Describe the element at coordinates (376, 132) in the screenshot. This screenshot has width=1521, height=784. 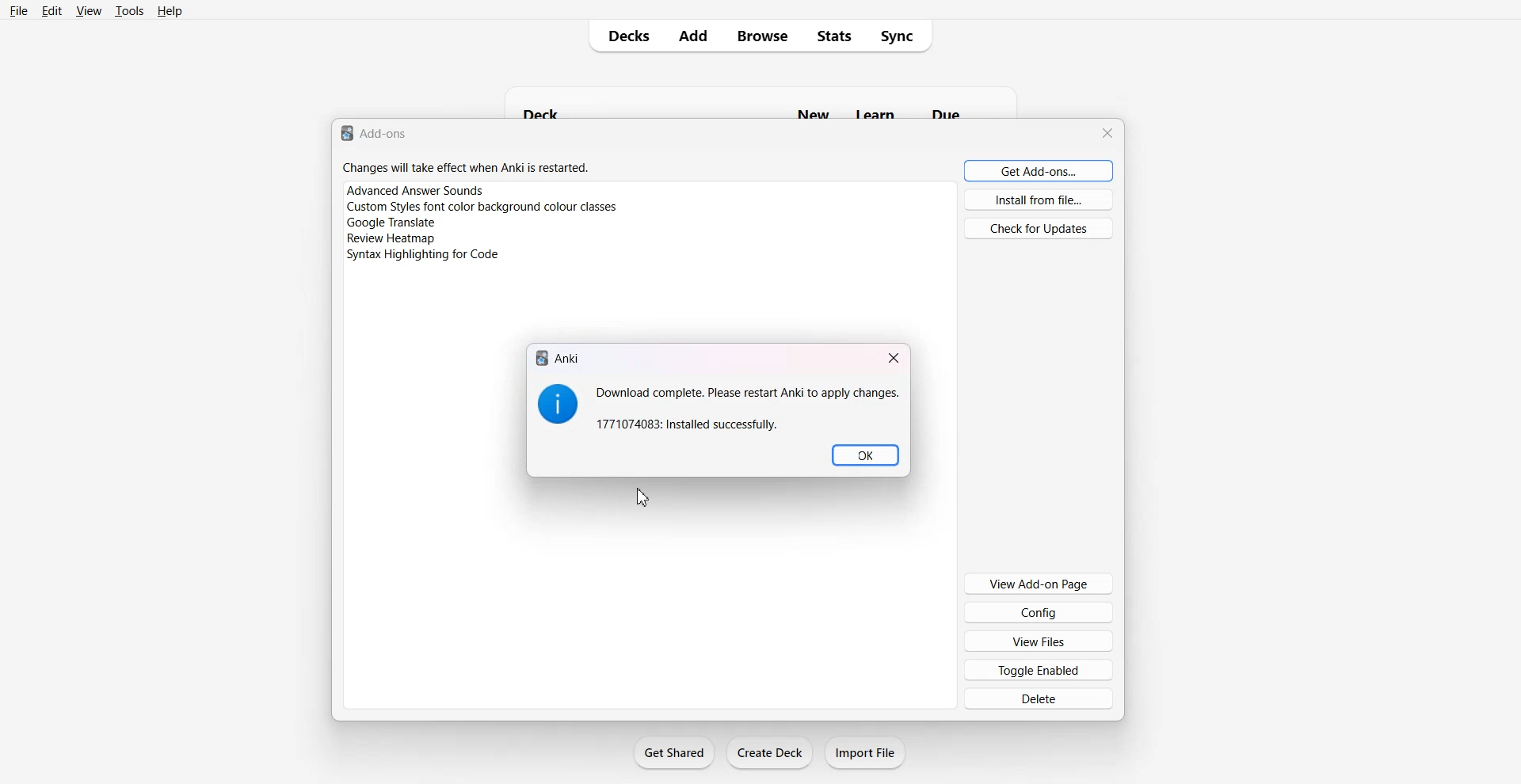
I see `add-ons` at that location.